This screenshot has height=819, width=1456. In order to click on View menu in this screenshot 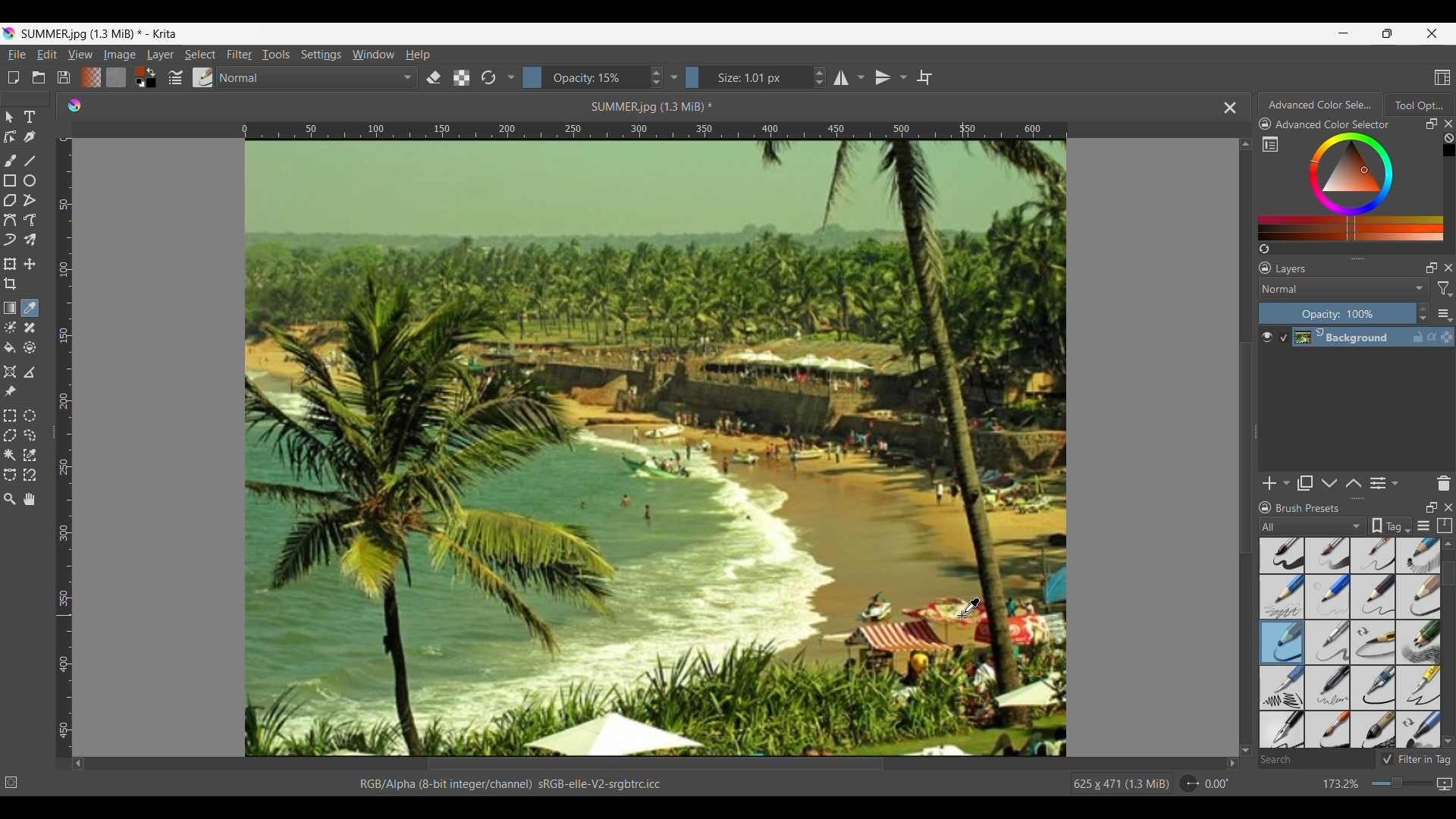, I will do `click(80, 55)`.